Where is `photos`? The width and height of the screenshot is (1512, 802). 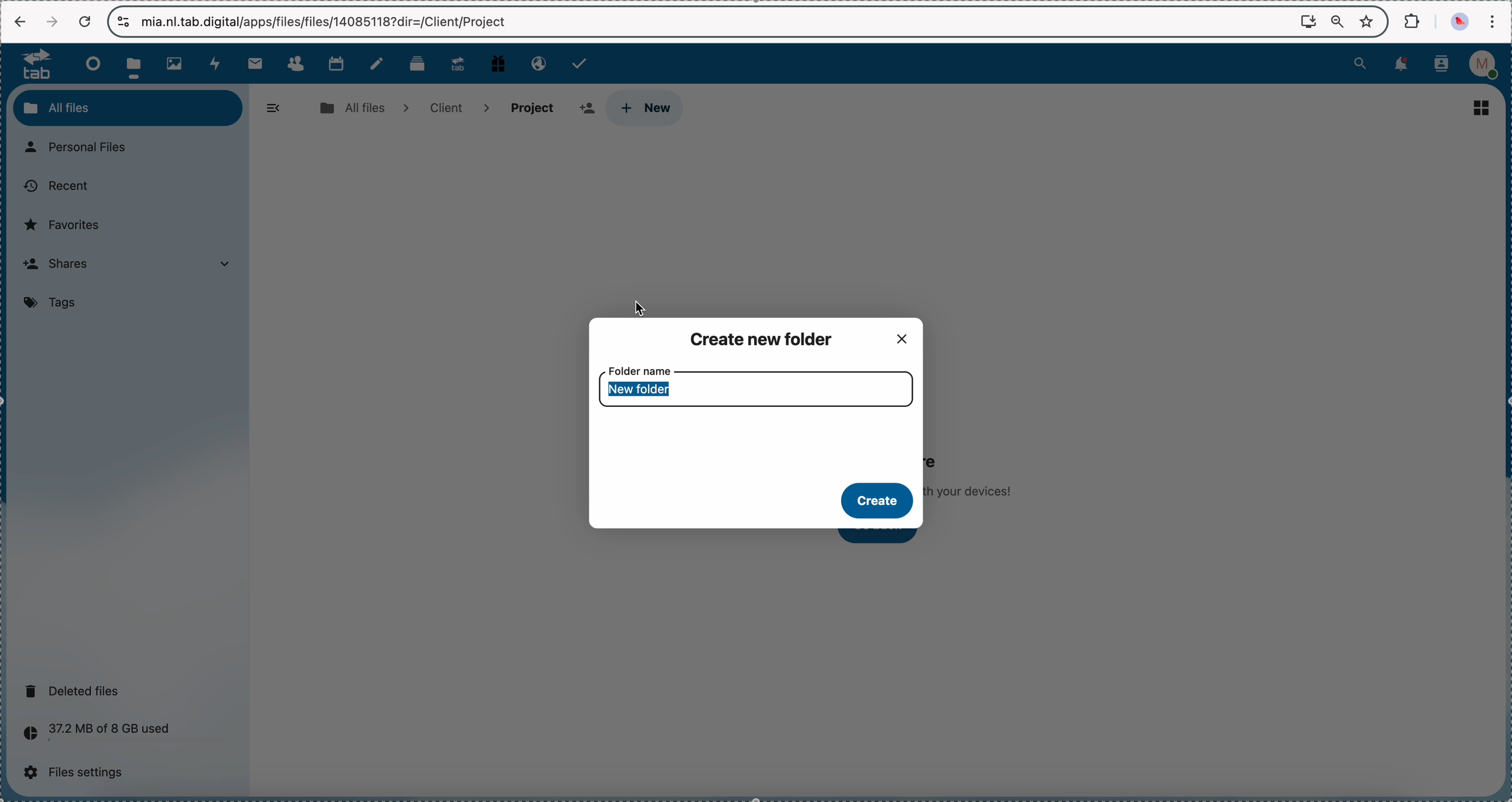
photos is located at coordinates (178, 64).